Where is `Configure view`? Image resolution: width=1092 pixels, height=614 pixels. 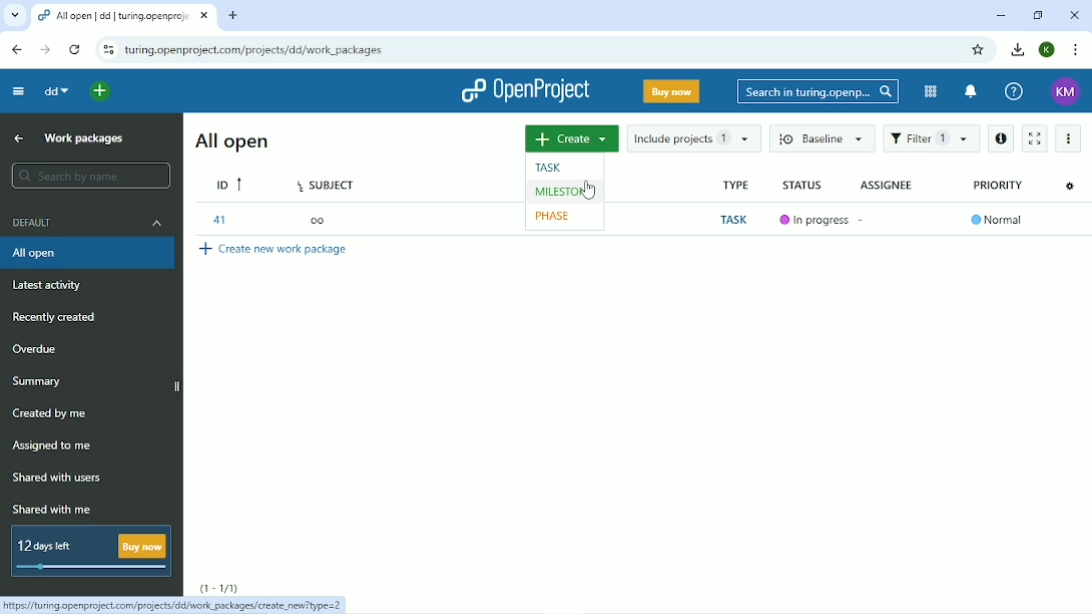
Configure view is located at coordinates (1071, 185).